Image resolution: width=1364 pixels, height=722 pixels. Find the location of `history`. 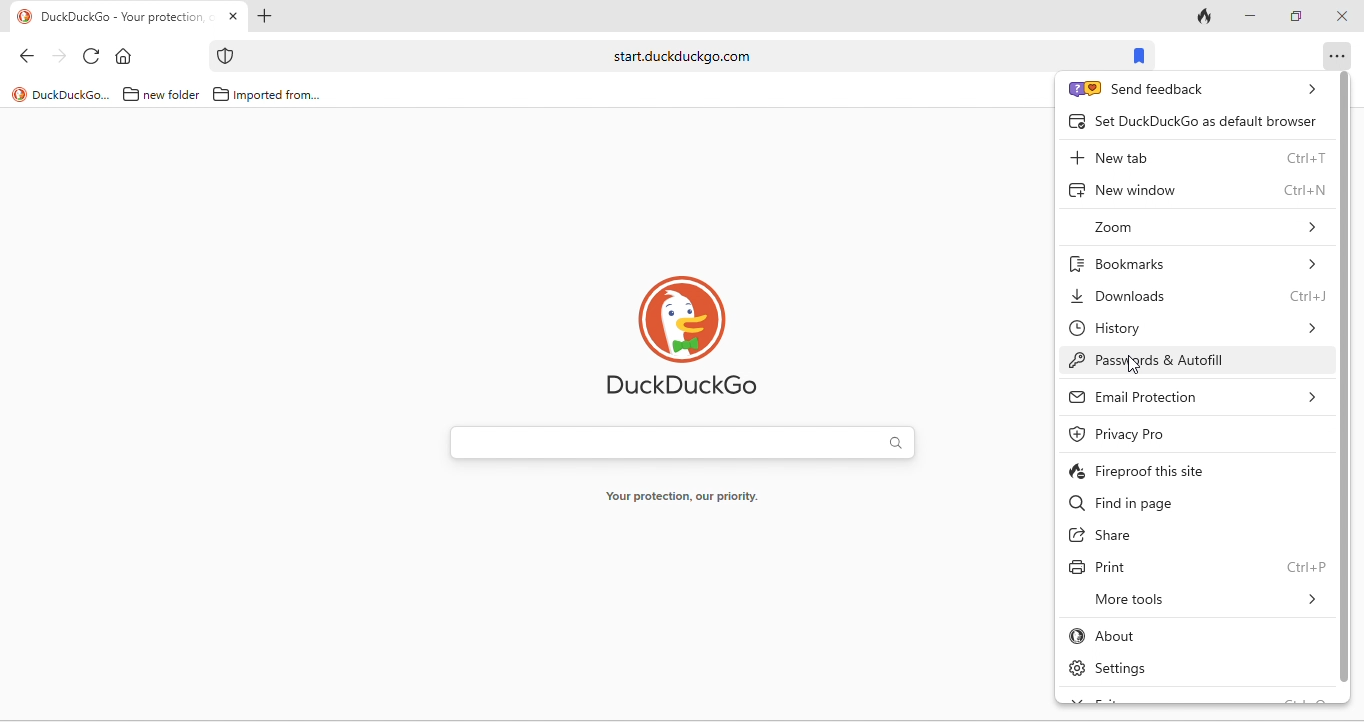

history is located at coordinates (1196, 332).